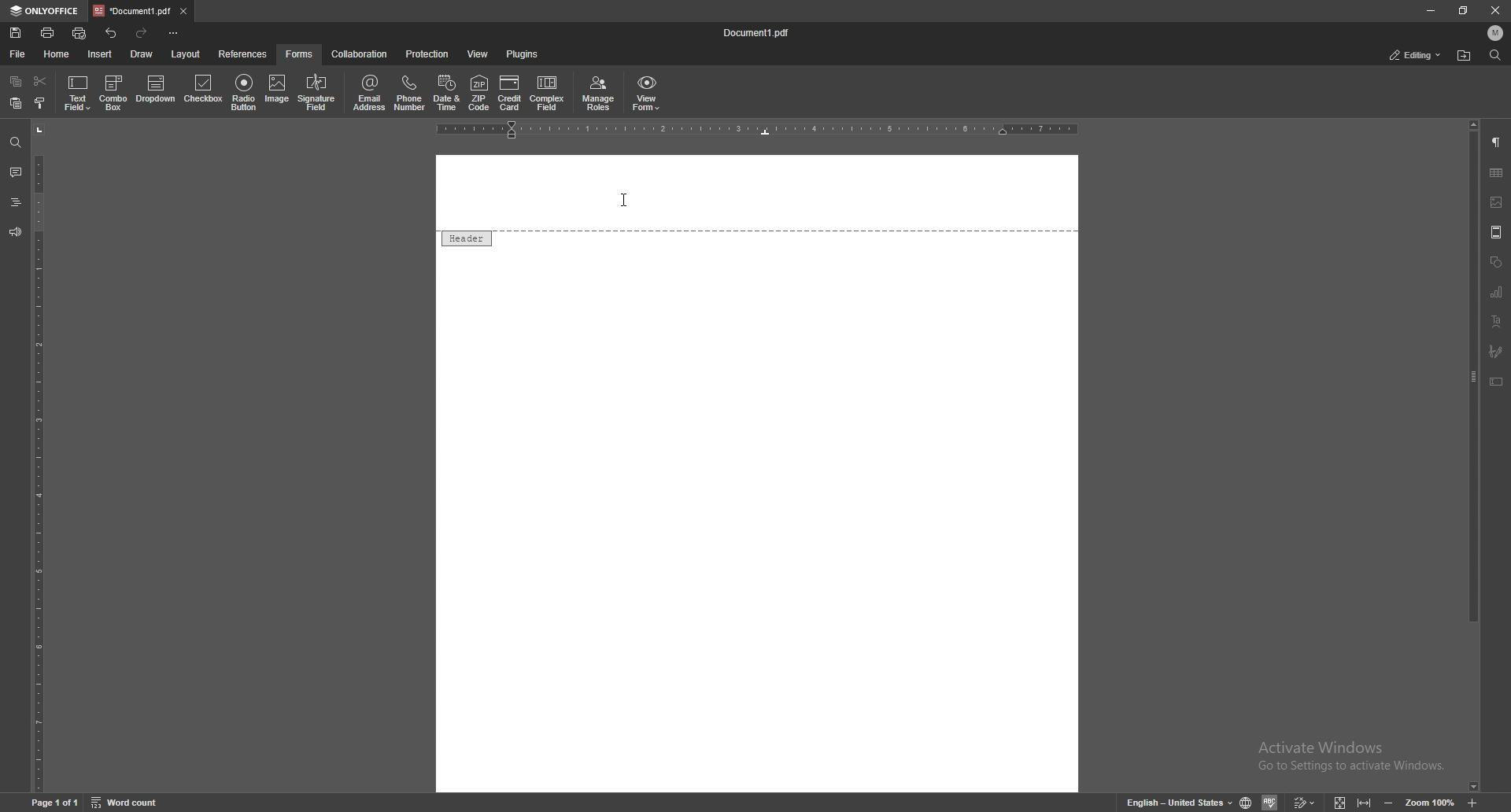  Describe the element at coordinates (647, 93) in the screenshot. I see `view form` at that location.